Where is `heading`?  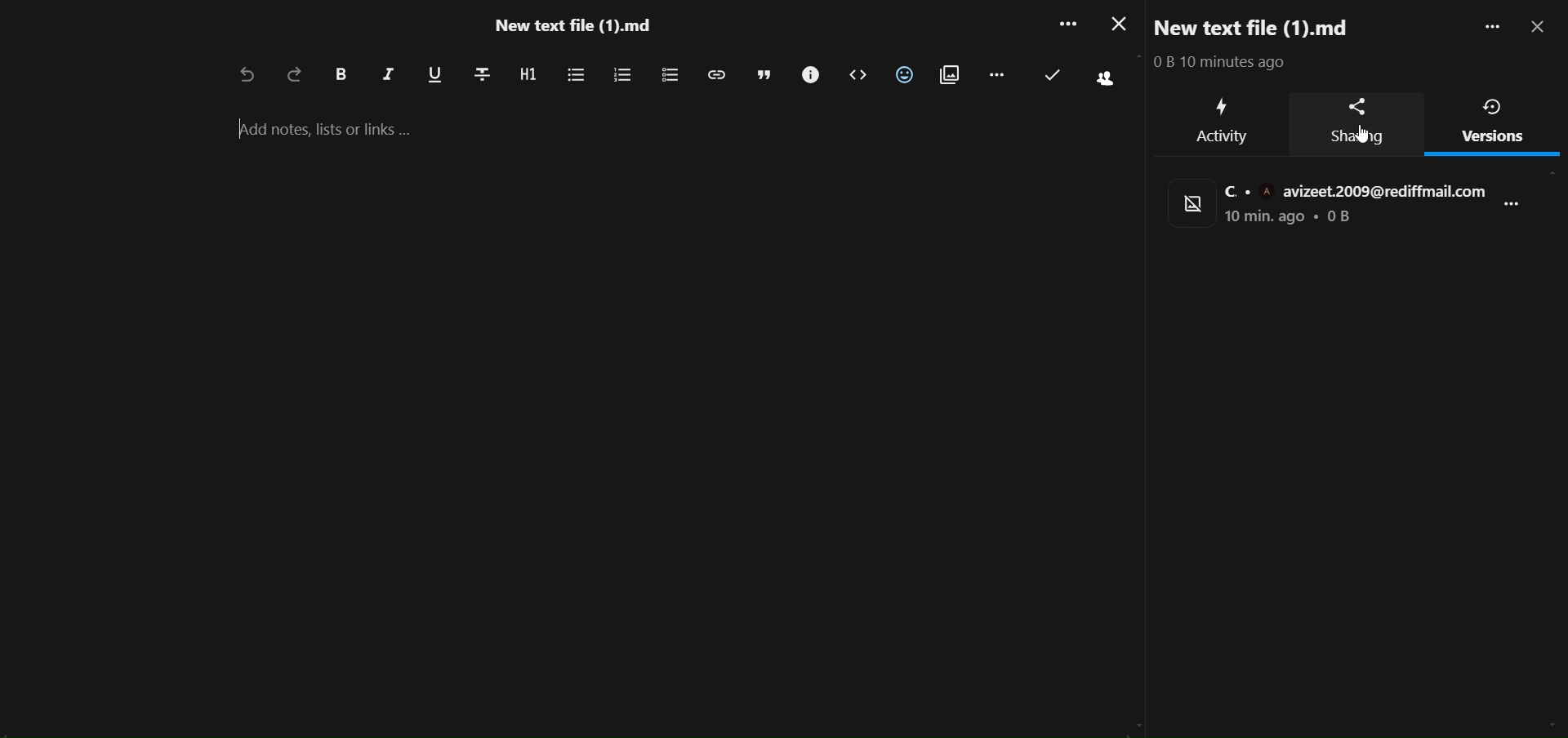
heading is located at coordinates (527, 75).